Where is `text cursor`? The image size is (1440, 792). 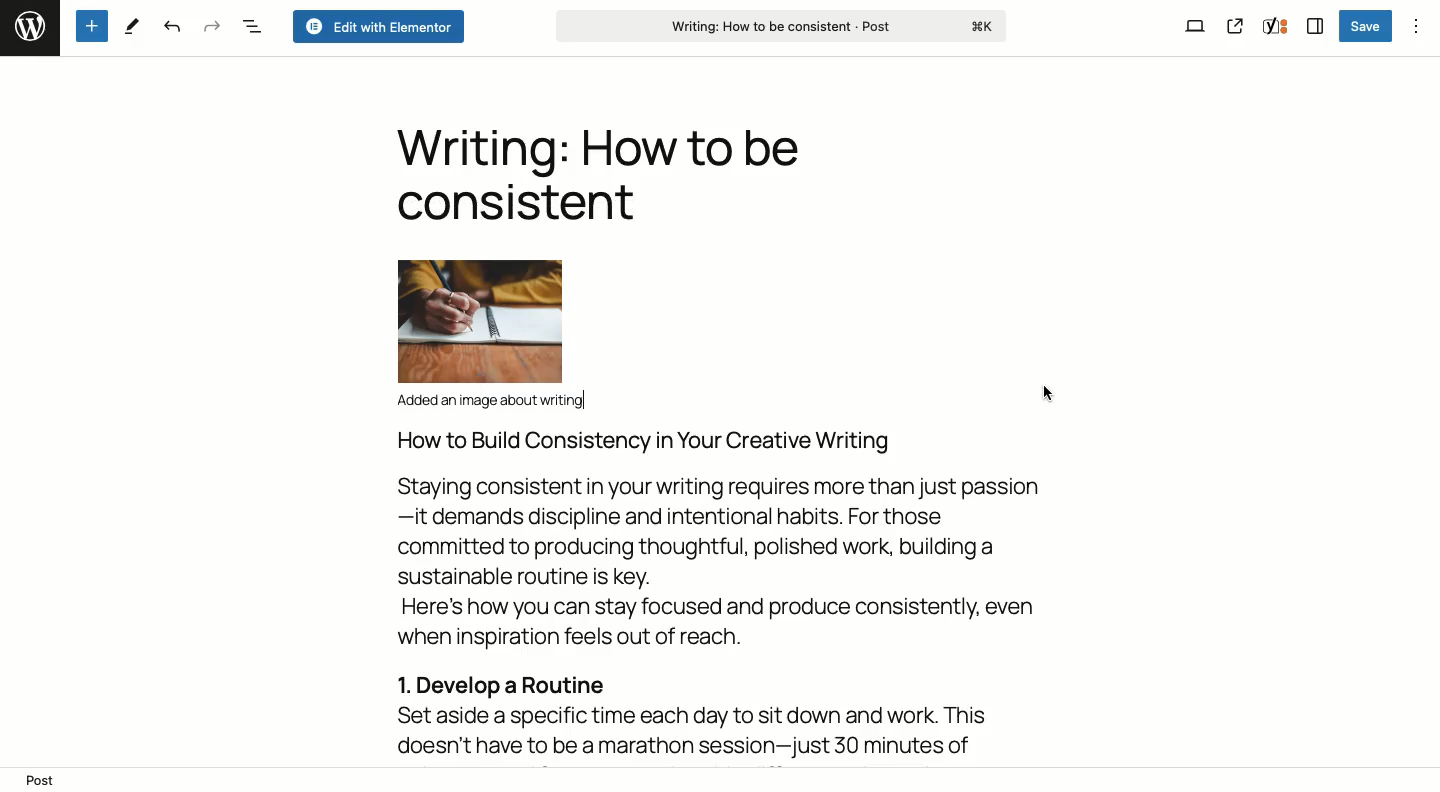 text cursor is located at coordinates (585, 397).